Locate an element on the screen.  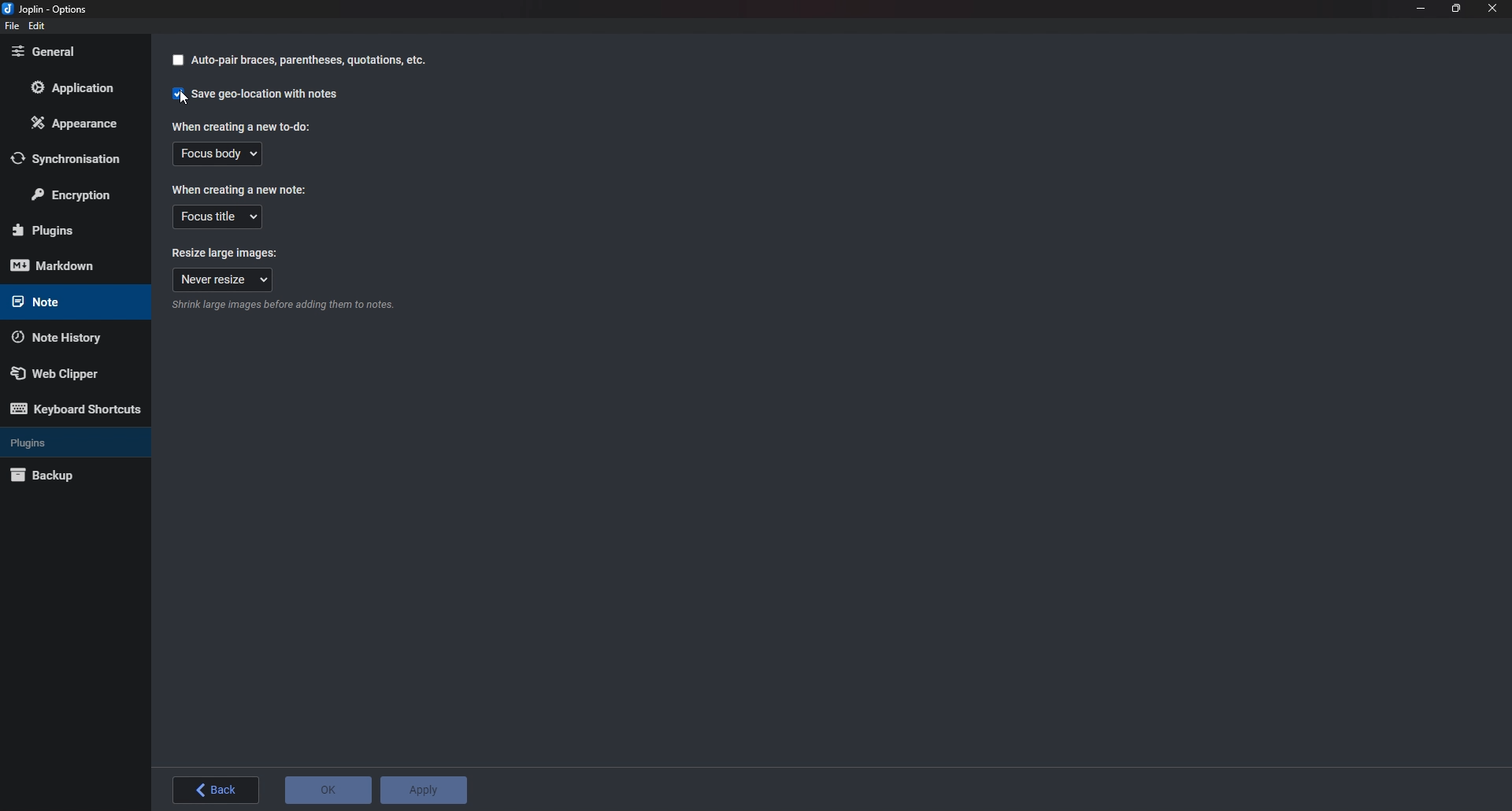
O K is located at coordinates (328, 790).